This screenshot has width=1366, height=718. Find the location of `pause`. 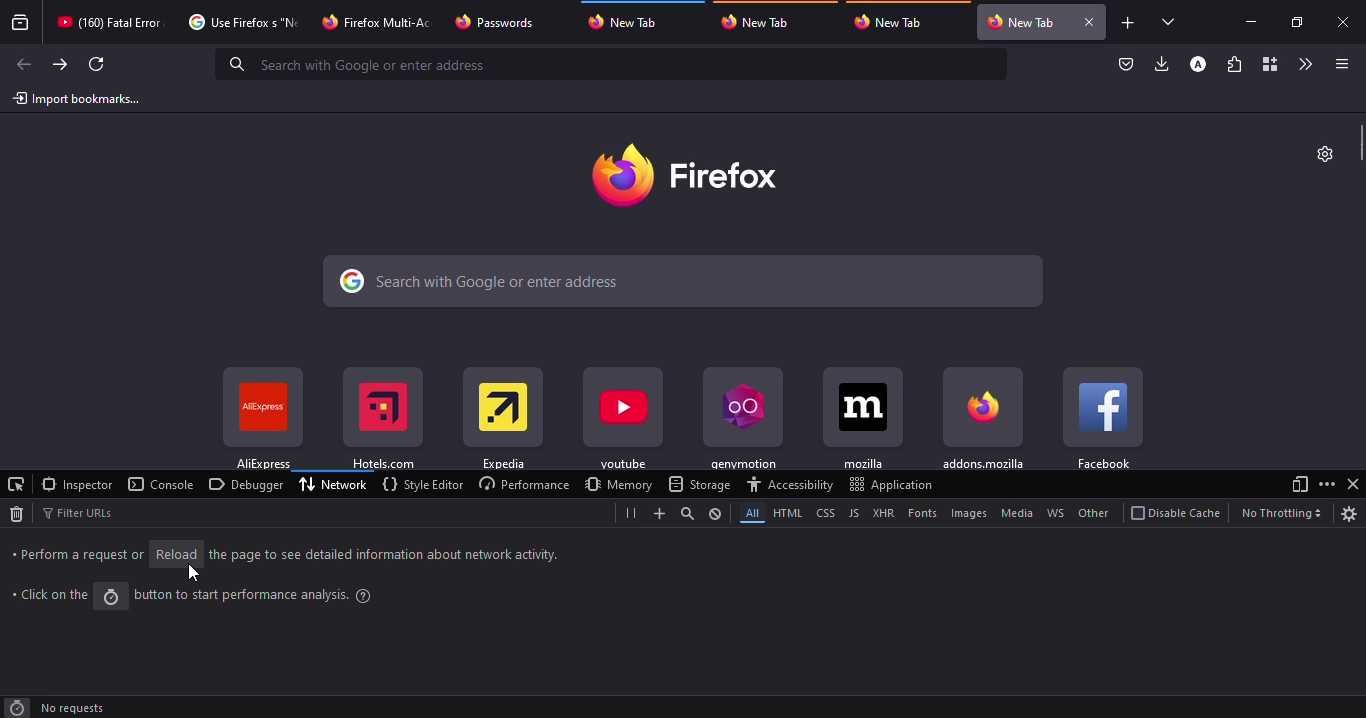

pause is located at coordinates (631, 513).